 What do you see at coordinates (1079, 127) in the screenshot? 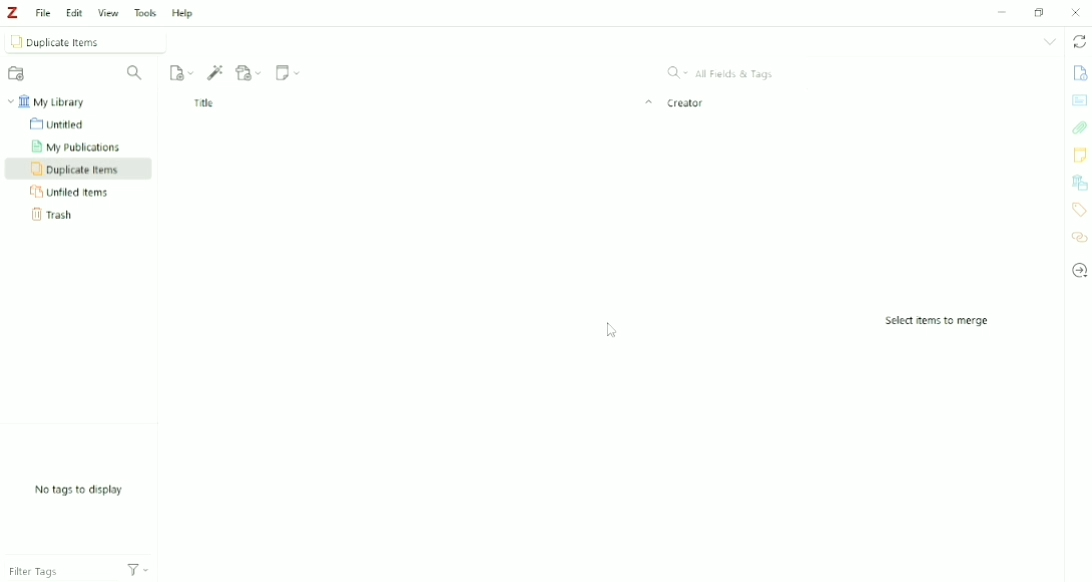
I see `Attachments` at bounding box center [1079, 127].